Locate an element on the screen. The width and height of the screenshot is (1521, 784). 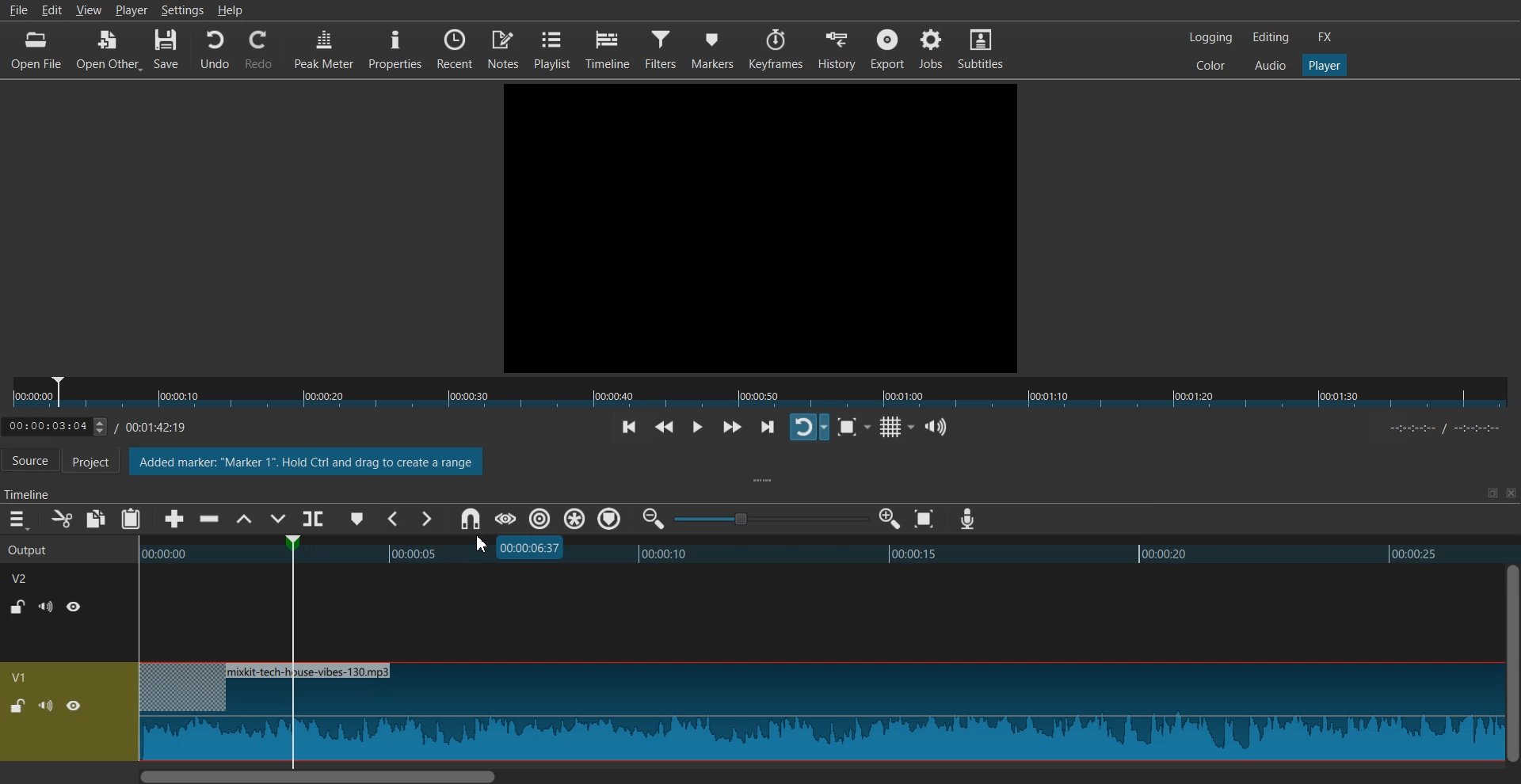
Previous Marker is located at coordinates (395, 519).